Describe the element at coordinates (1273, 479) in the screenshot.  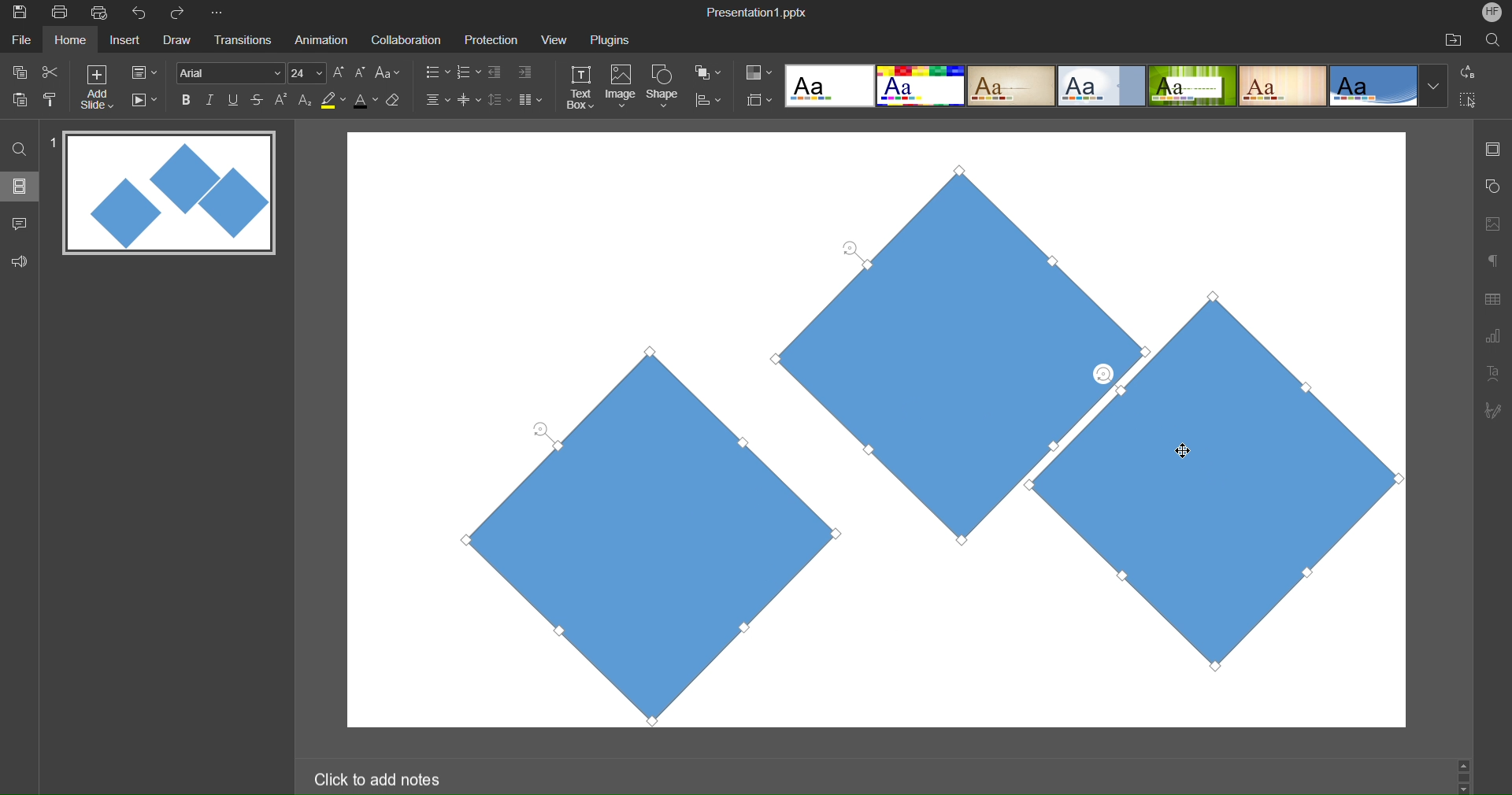
I see `Shape 3 Selected` at that location.